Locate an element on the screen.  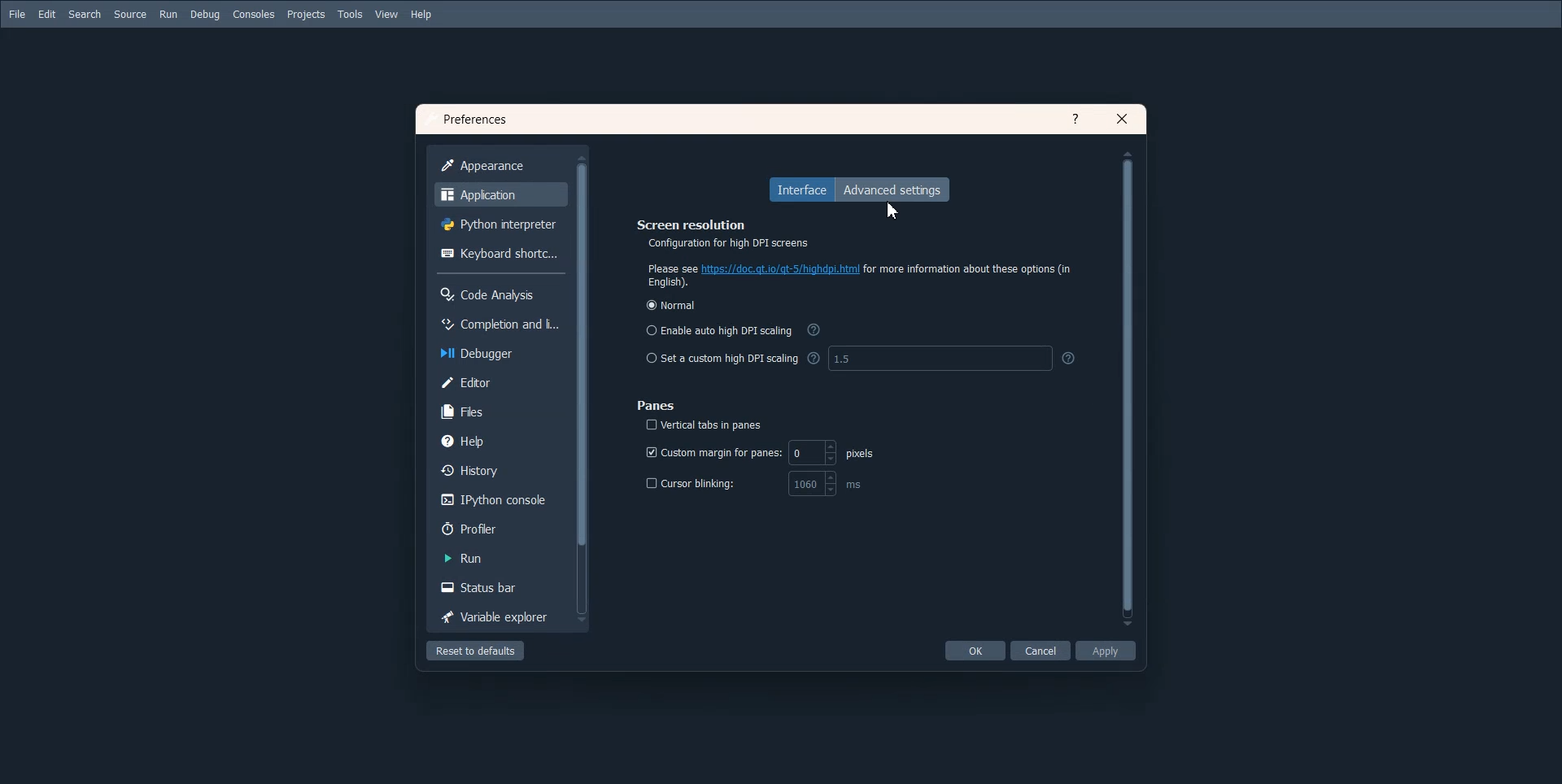
more info is located at coordinates (814, 329).